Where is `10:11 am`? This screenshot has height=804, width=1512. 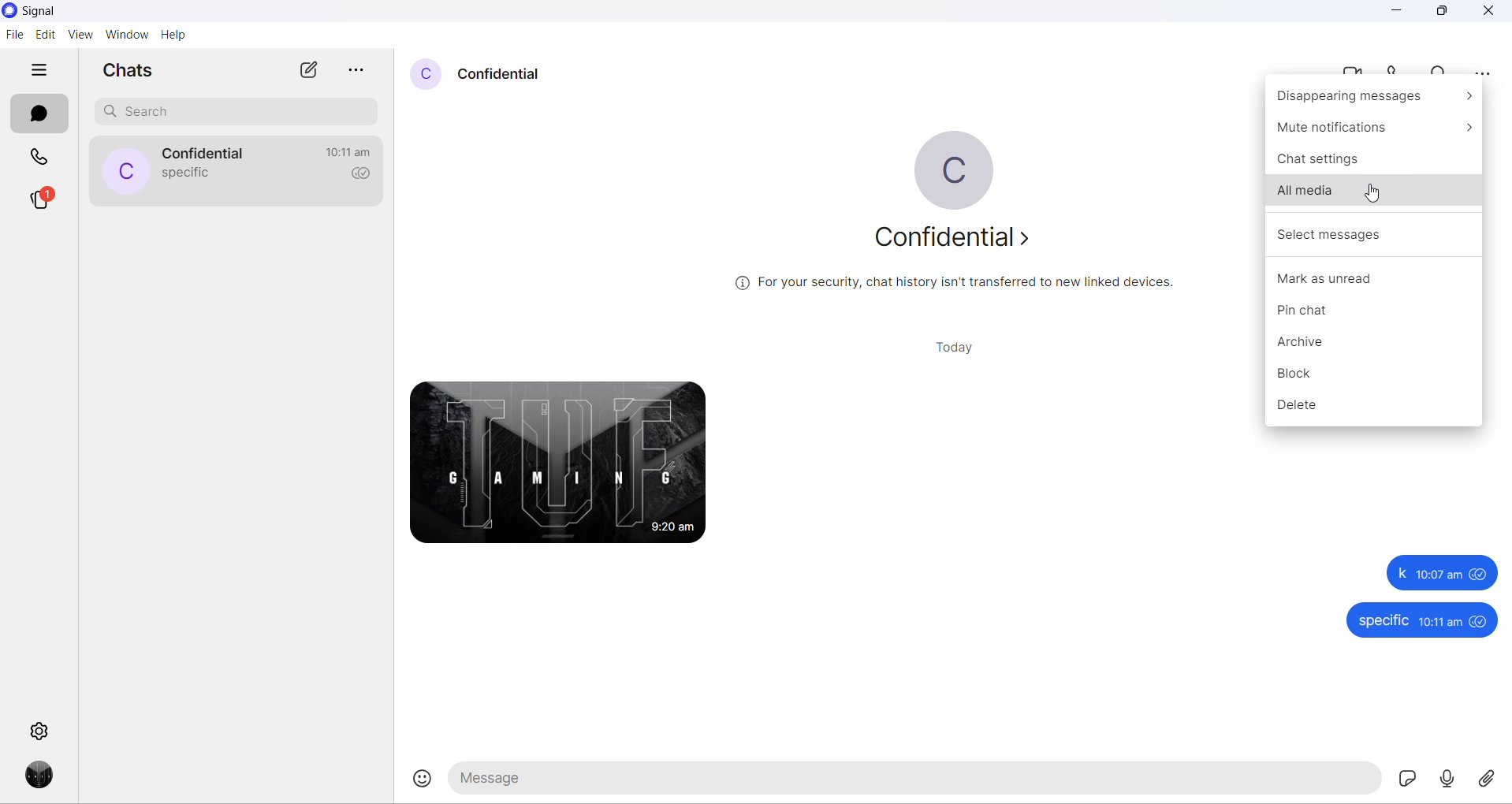 10:11 am is located at coordinates (1440, 621).